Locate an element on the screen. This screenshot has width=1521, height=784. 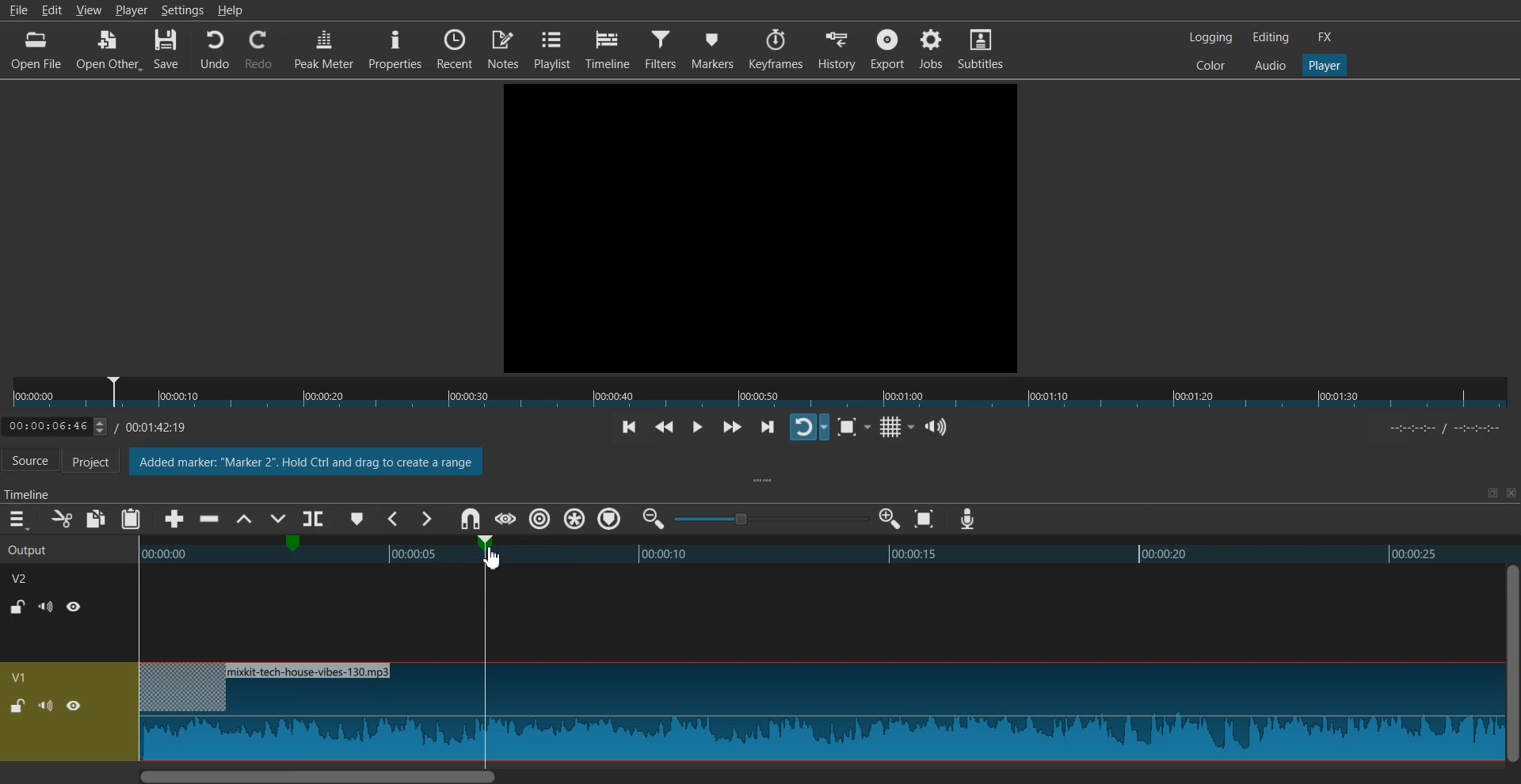
File Preview window is located at coordinates (764, 226).